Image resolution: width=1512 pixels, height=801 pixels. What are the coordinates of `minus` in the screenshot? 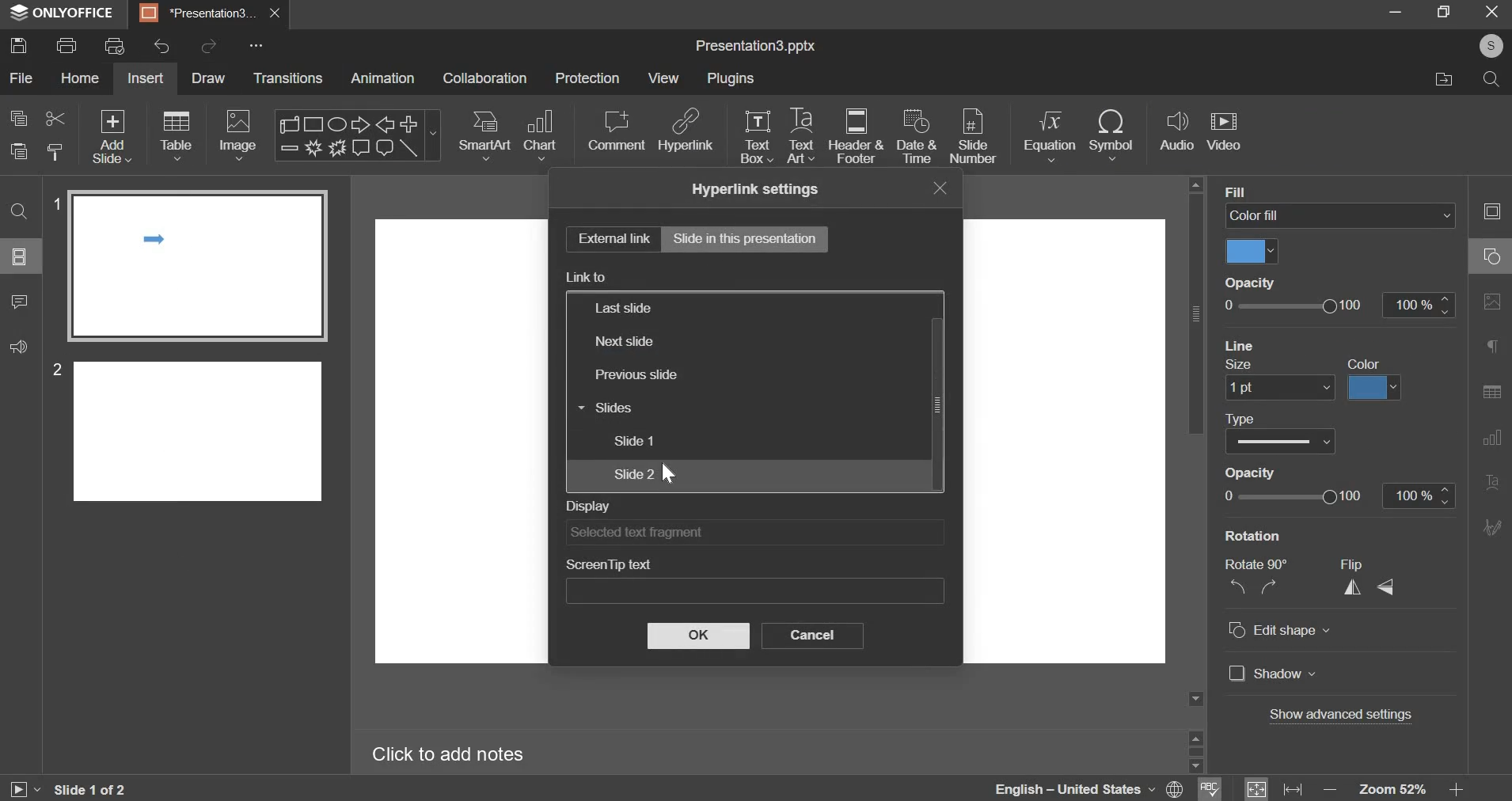 It's located at (288, 147).